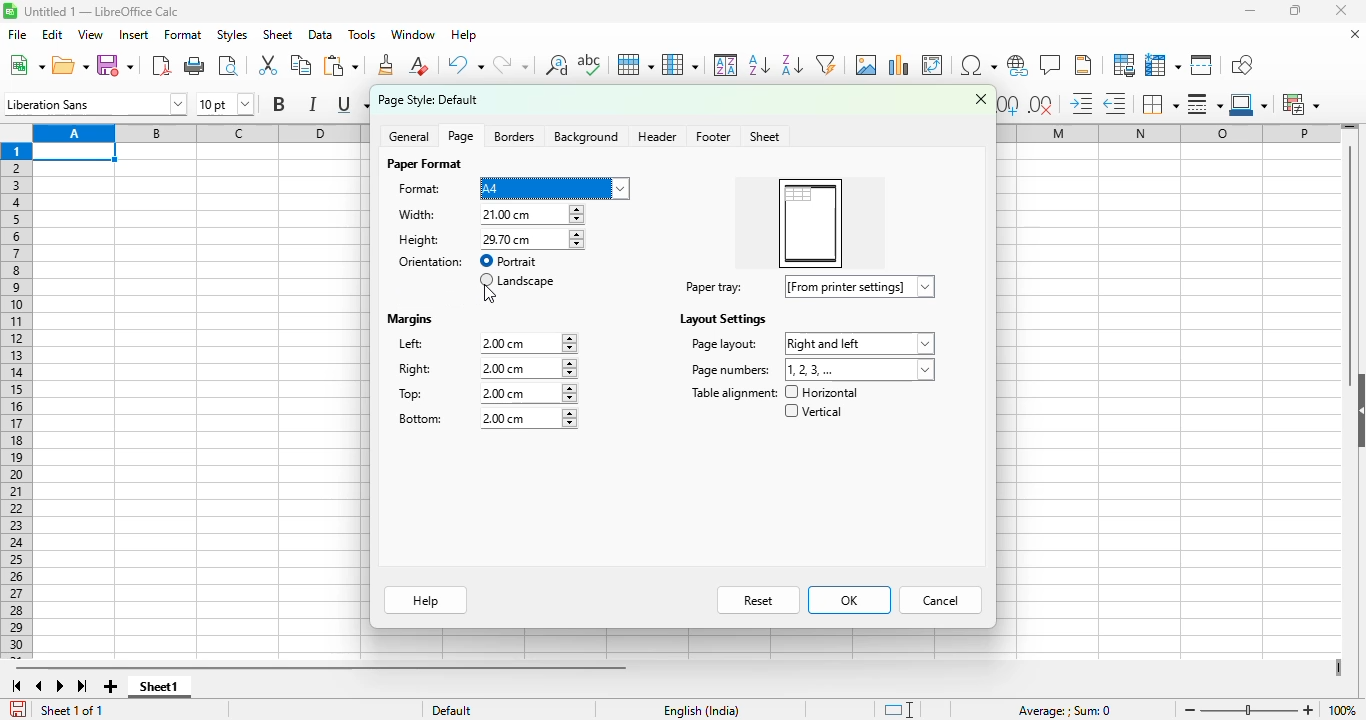  What do you see at coordinates (1065, 711) in the screenshot?
I see `formula` at bounding box center [1065, 711].